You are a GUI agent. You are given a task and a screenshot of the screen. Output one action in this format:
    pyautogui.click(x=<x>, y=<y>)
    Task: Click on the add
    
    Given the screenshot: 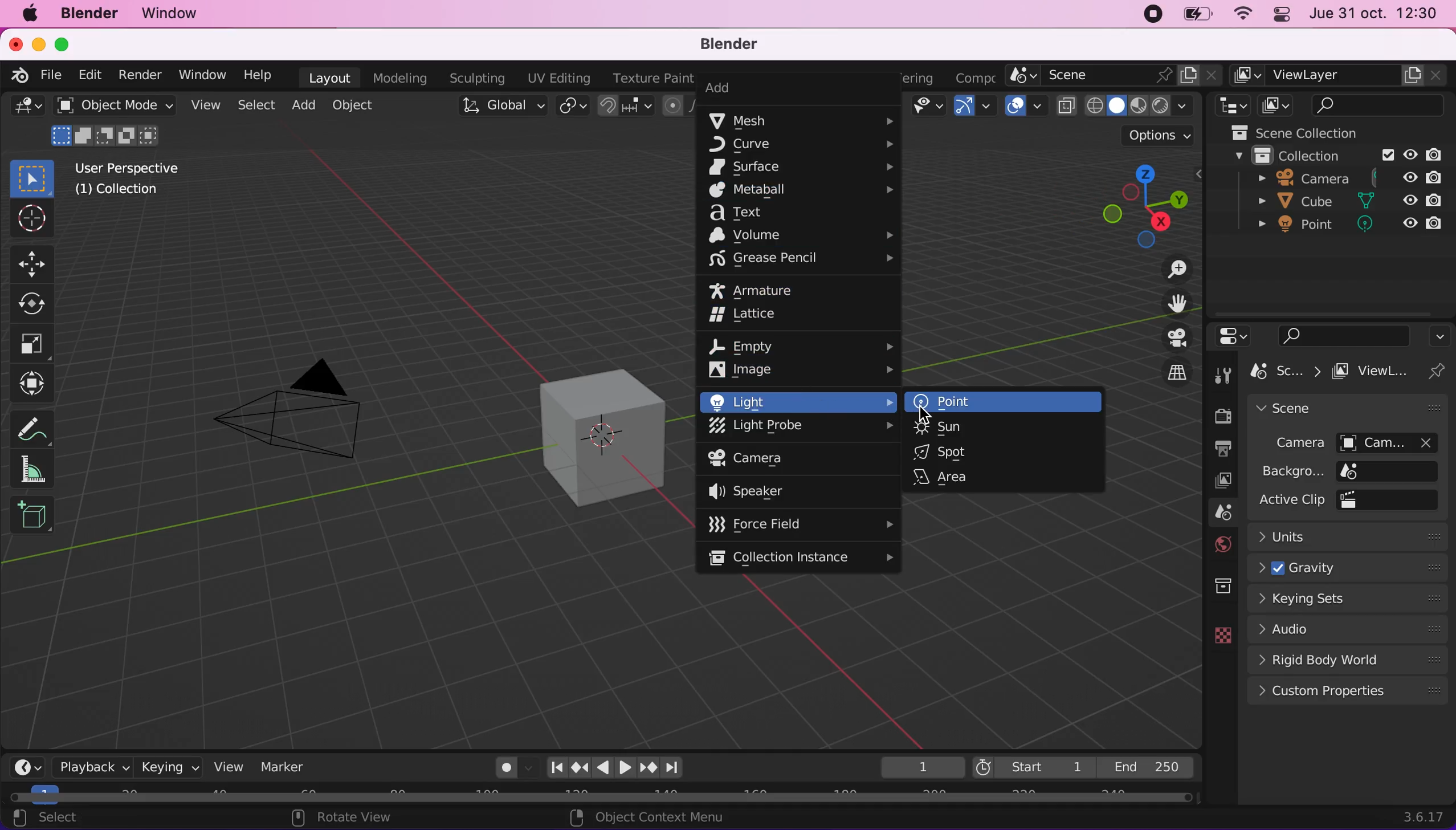 What is the action you would take?
    pyautogui.click(x=308, y=107)
    